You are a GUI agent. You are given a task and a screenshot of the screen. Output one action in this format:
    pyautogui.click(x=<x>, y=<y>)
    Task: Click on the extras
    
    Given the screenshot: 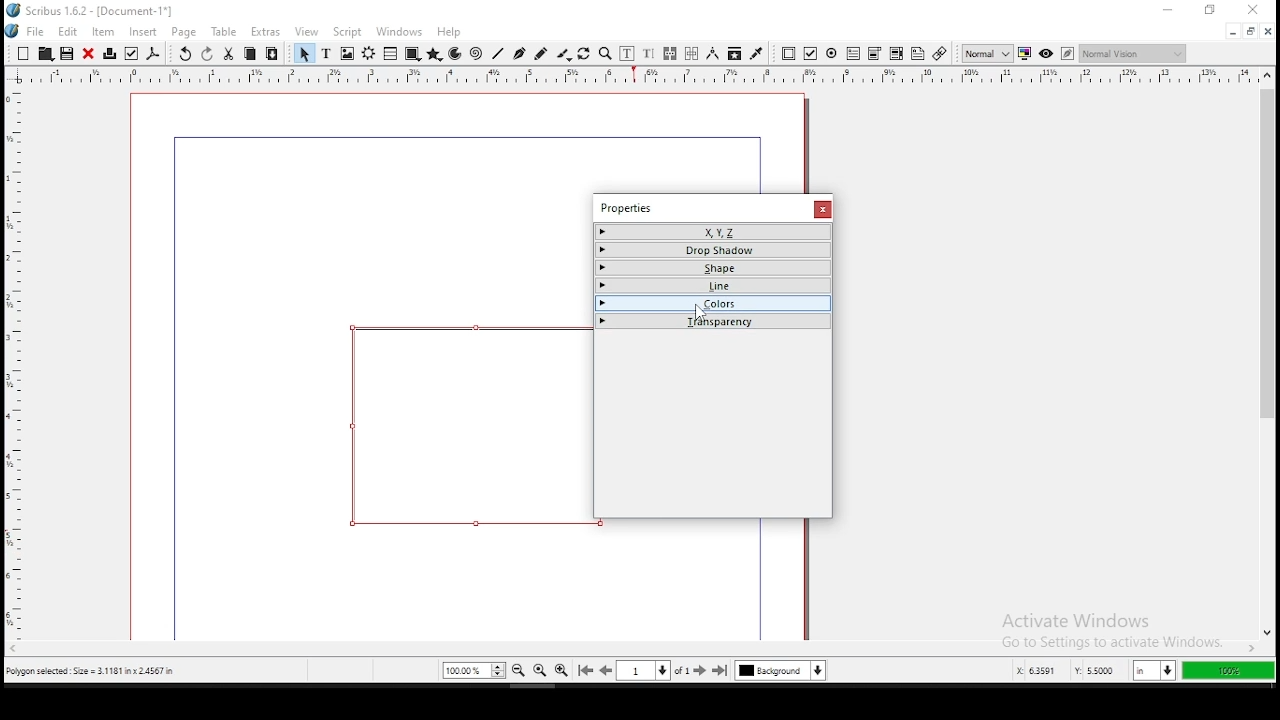 What is the action you would take?
    pyautogui.click(x=265, y=32)
    